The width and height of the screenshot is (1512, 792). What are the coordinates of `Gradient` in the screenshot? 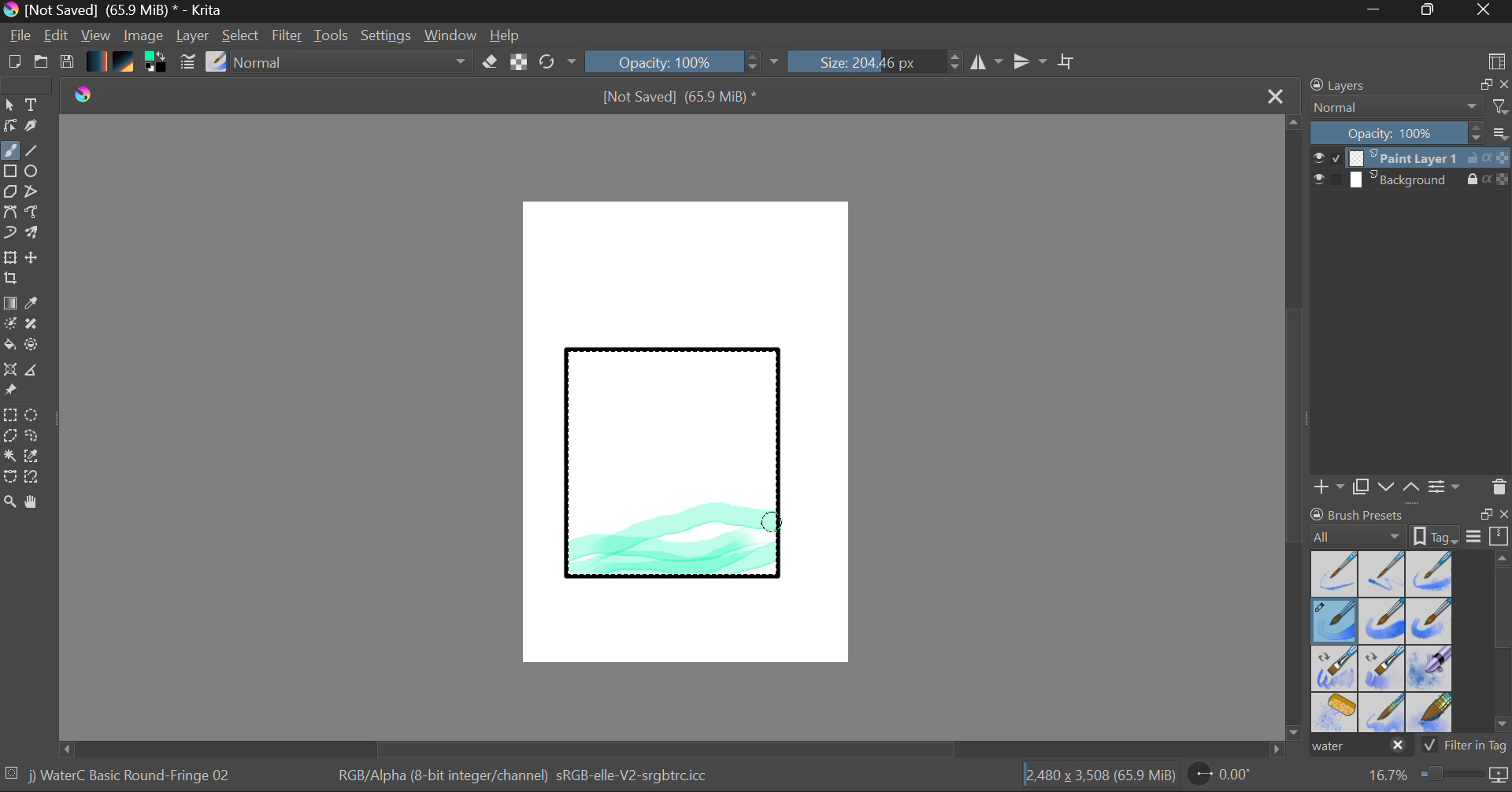 It's located at (95, 60).